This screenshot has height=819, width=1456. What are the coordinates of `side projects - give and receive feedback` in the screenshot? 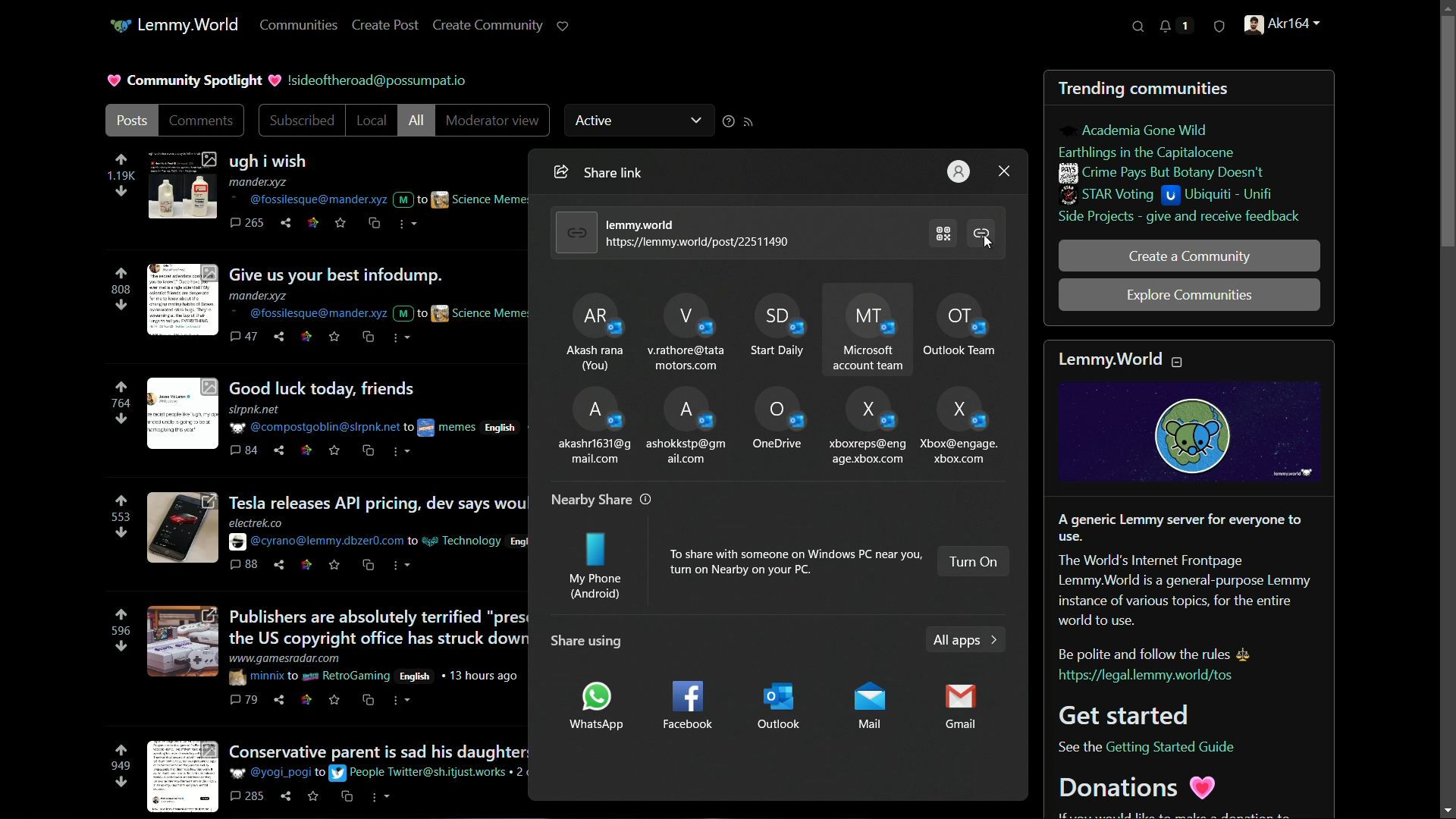 It's located at (1179, 218).